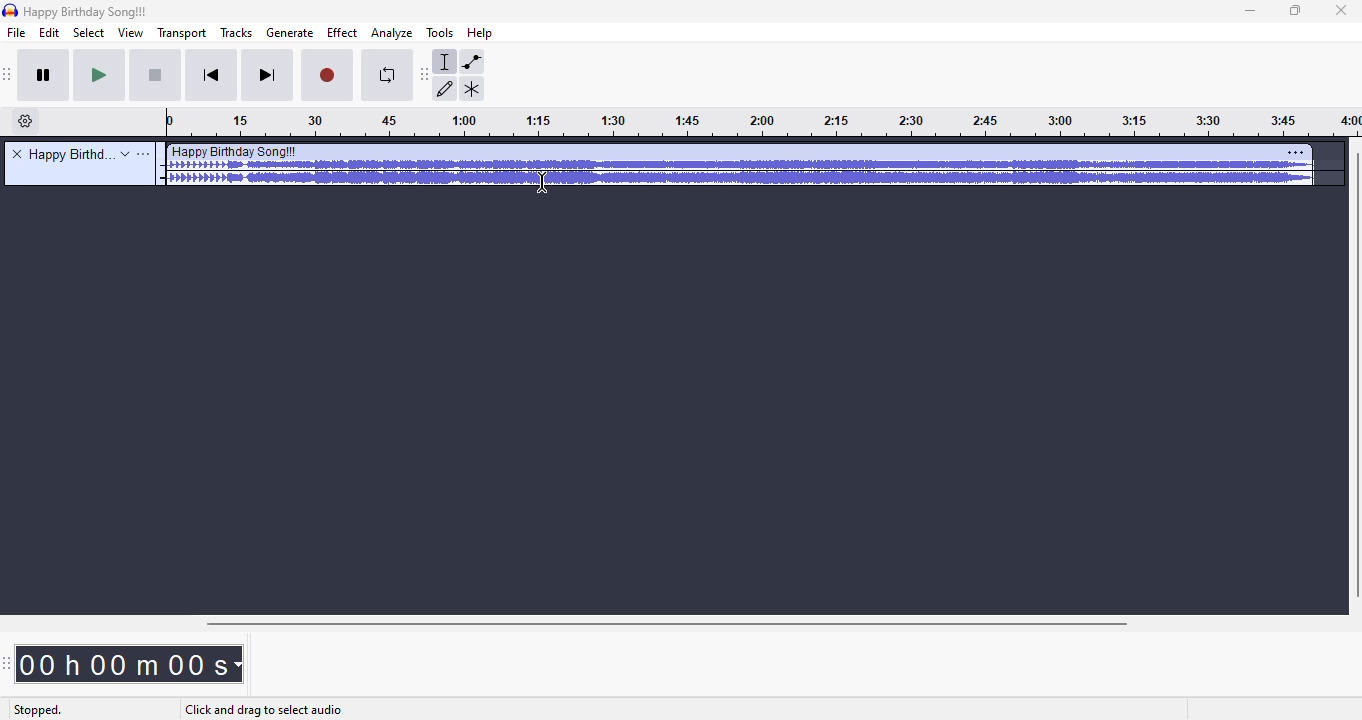 Image resolution: width=1362 pixels, height=720 pixels. Describe the element at coordinates (472, 87) in the screenshot. I see `multi-tool` at that location.